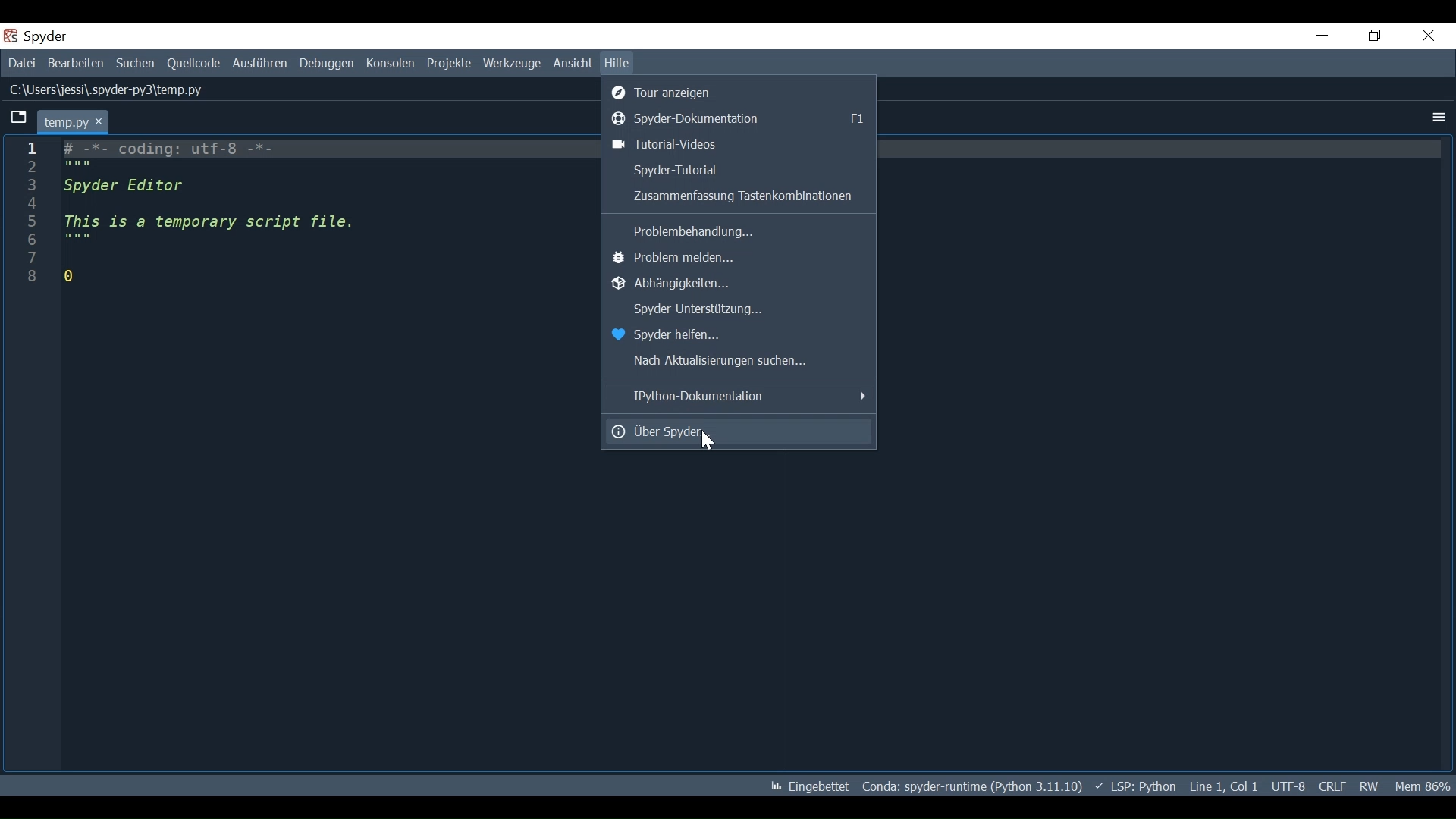 The height and width of the screenshot is (819, 1456). Describe the element at coordinates (1423, 786) in the screenshot. I see `Memory Usage` at that location.